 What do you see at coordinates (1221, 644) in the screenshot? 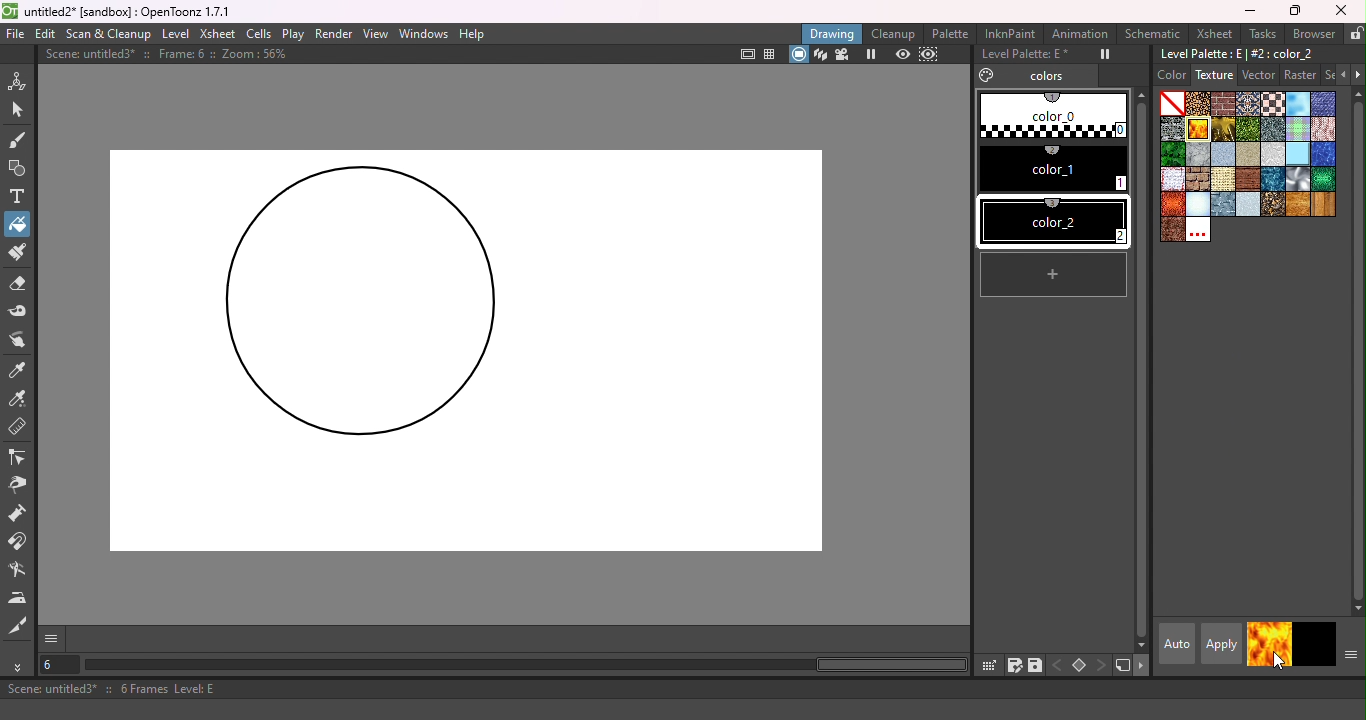
I see `apply` at bounding box center [1221, 644].